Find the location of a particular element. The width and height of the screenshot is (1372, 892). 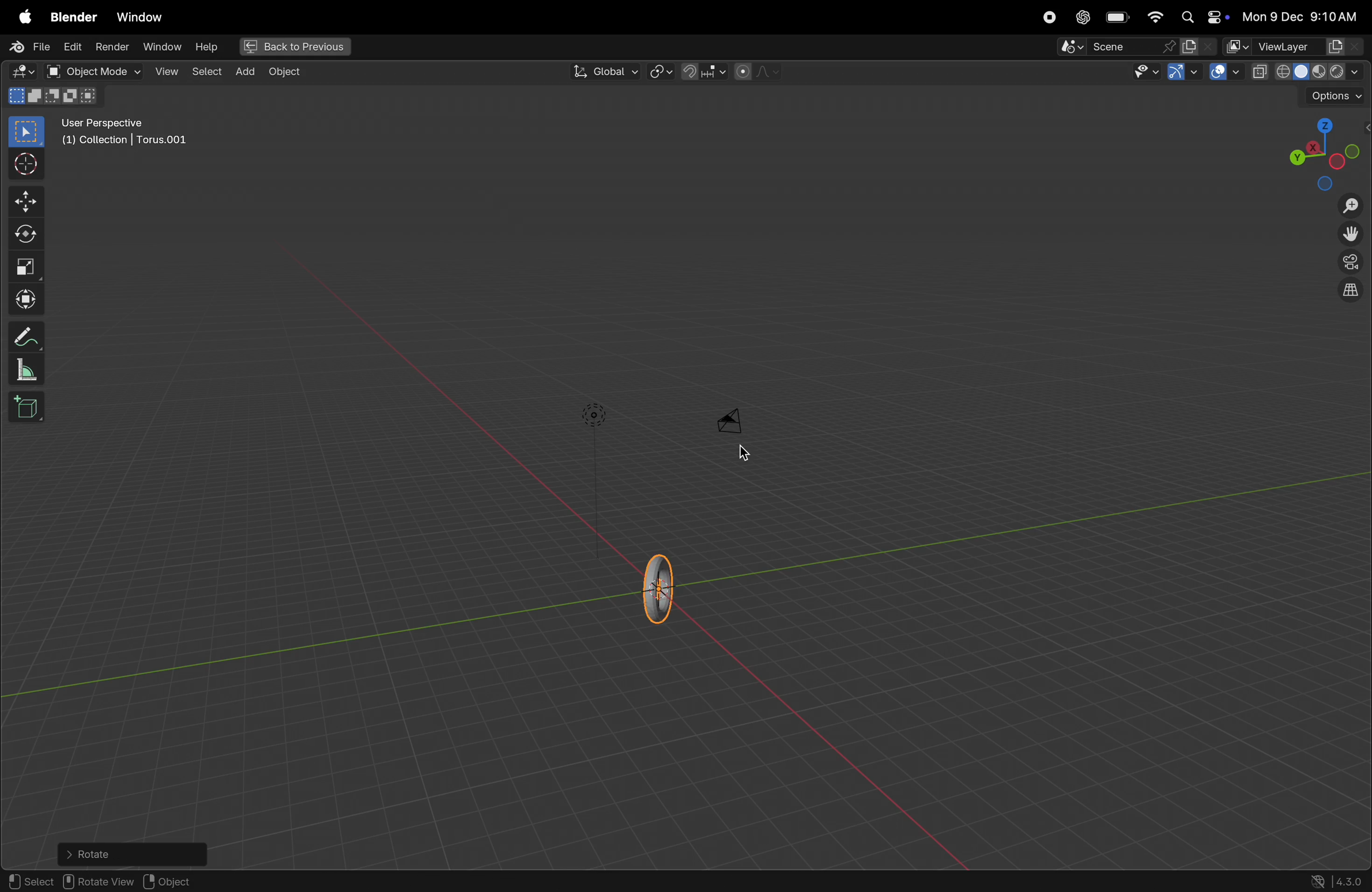

record is located at coordinates (1046, 17).